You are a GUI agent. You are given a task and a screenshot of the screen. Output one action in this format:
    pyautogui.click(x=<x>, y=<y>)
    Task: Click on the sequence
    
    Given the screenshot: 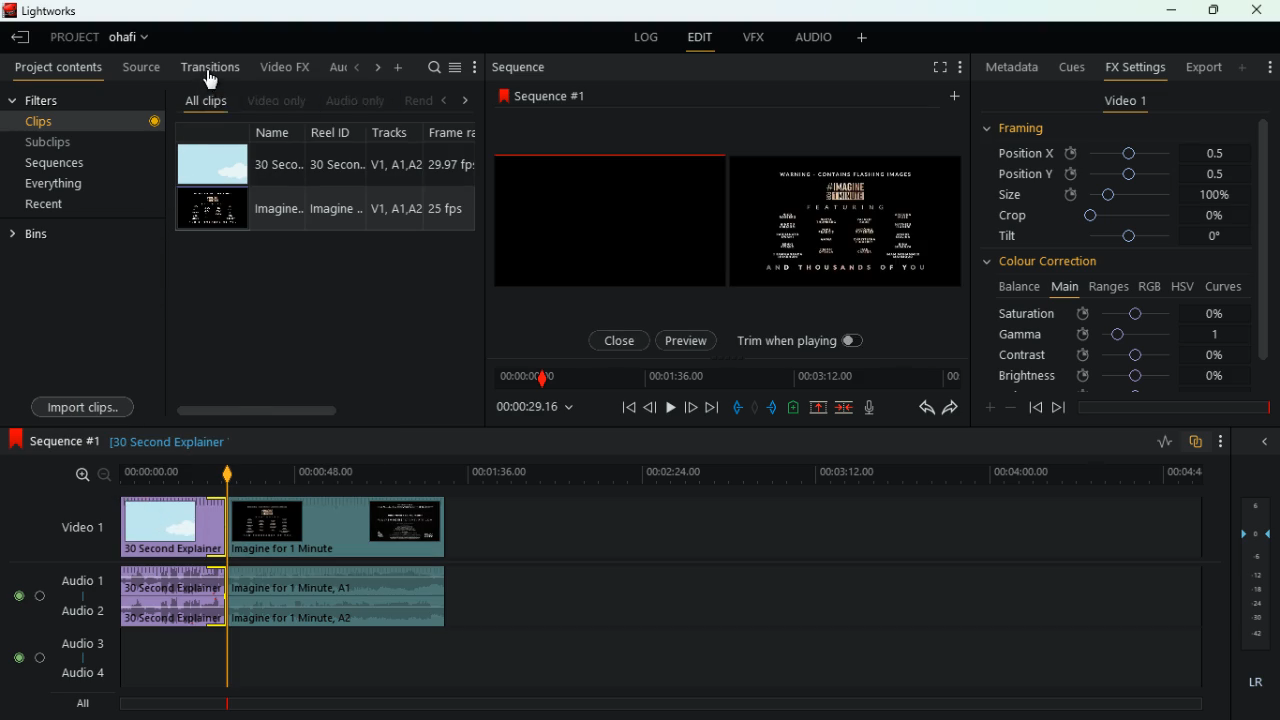 What is the action you would take?
    pyautogui.click(x=55, y=442)
    